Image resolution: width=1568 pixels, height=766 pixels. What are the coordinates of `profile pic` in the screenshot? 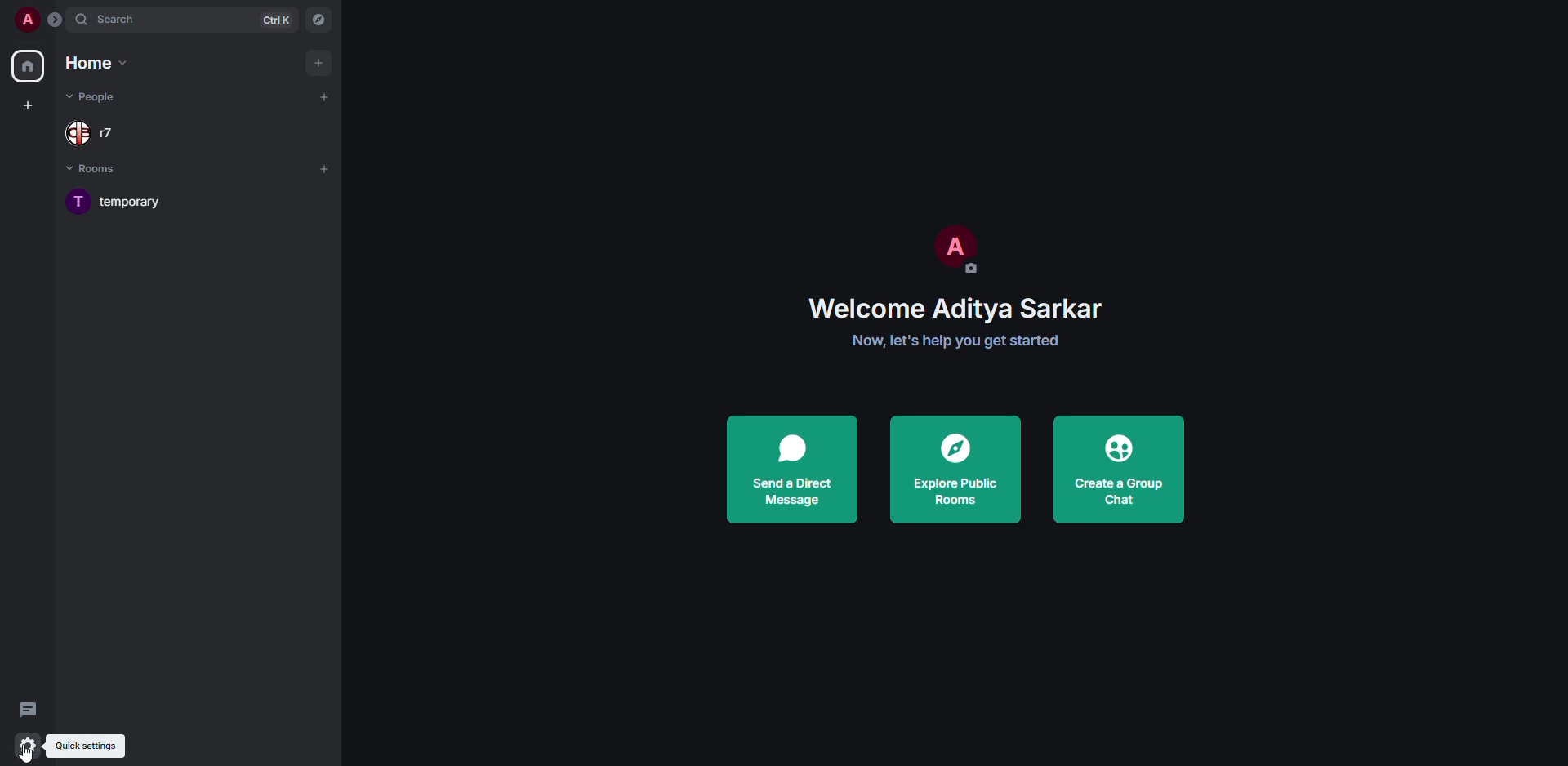 It's located at (954, 248).